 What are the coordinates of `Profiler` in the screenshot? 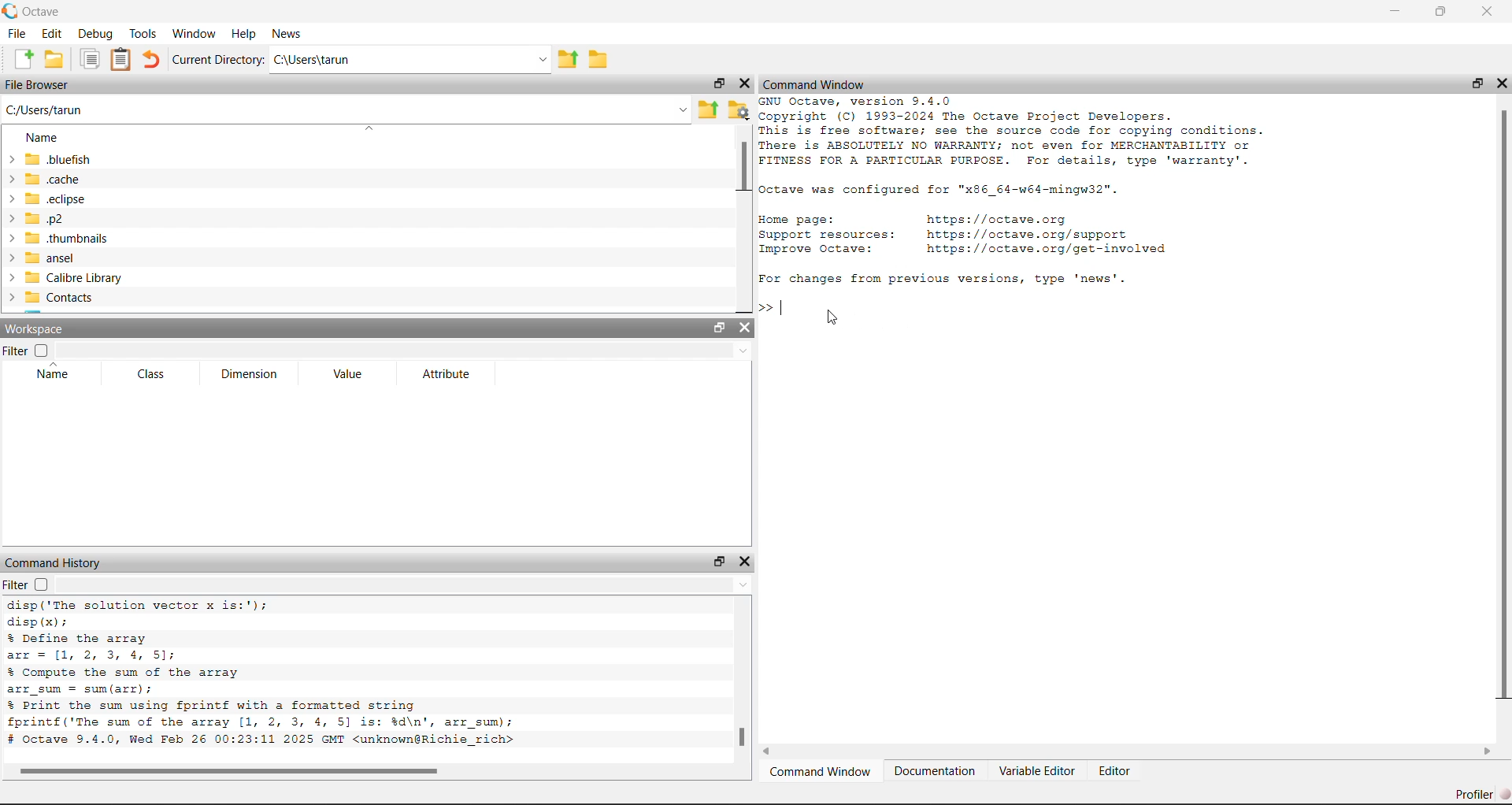 It's located at (1479, 794).